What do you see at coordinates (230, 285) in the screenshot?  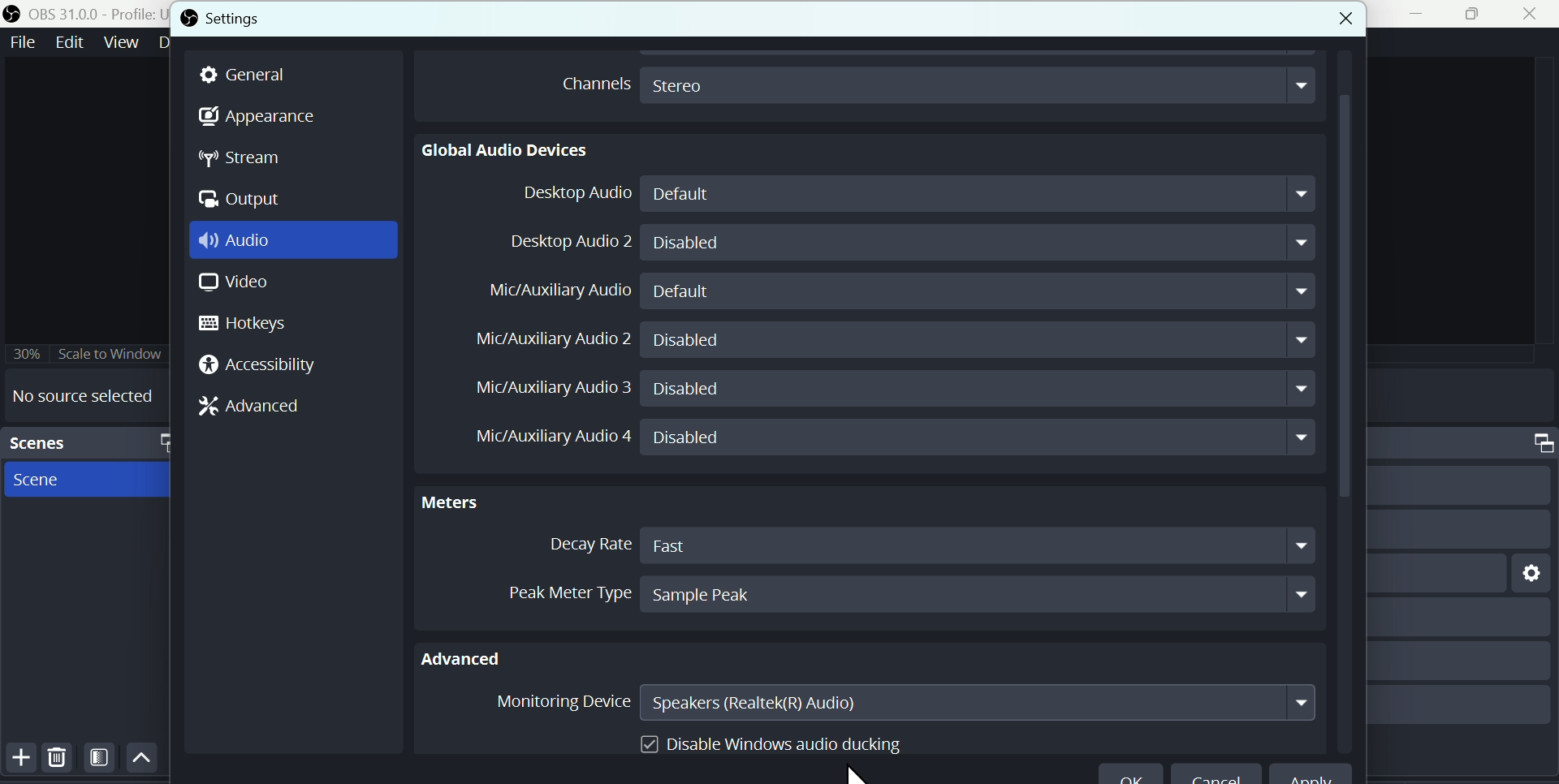 I see `Video` at bounding box center [230, 285].